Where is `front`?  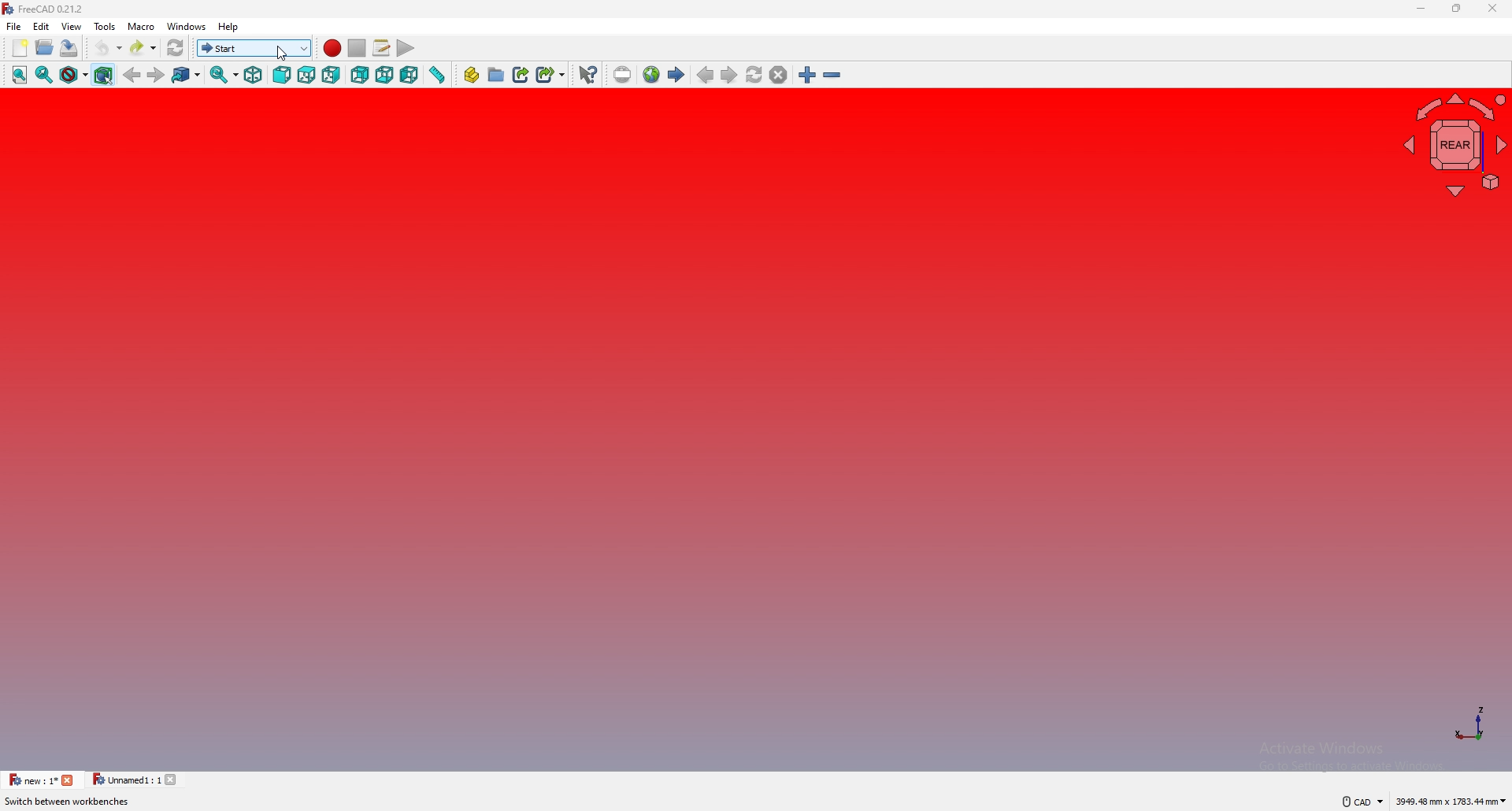
front is located at coordinates (280, 76).